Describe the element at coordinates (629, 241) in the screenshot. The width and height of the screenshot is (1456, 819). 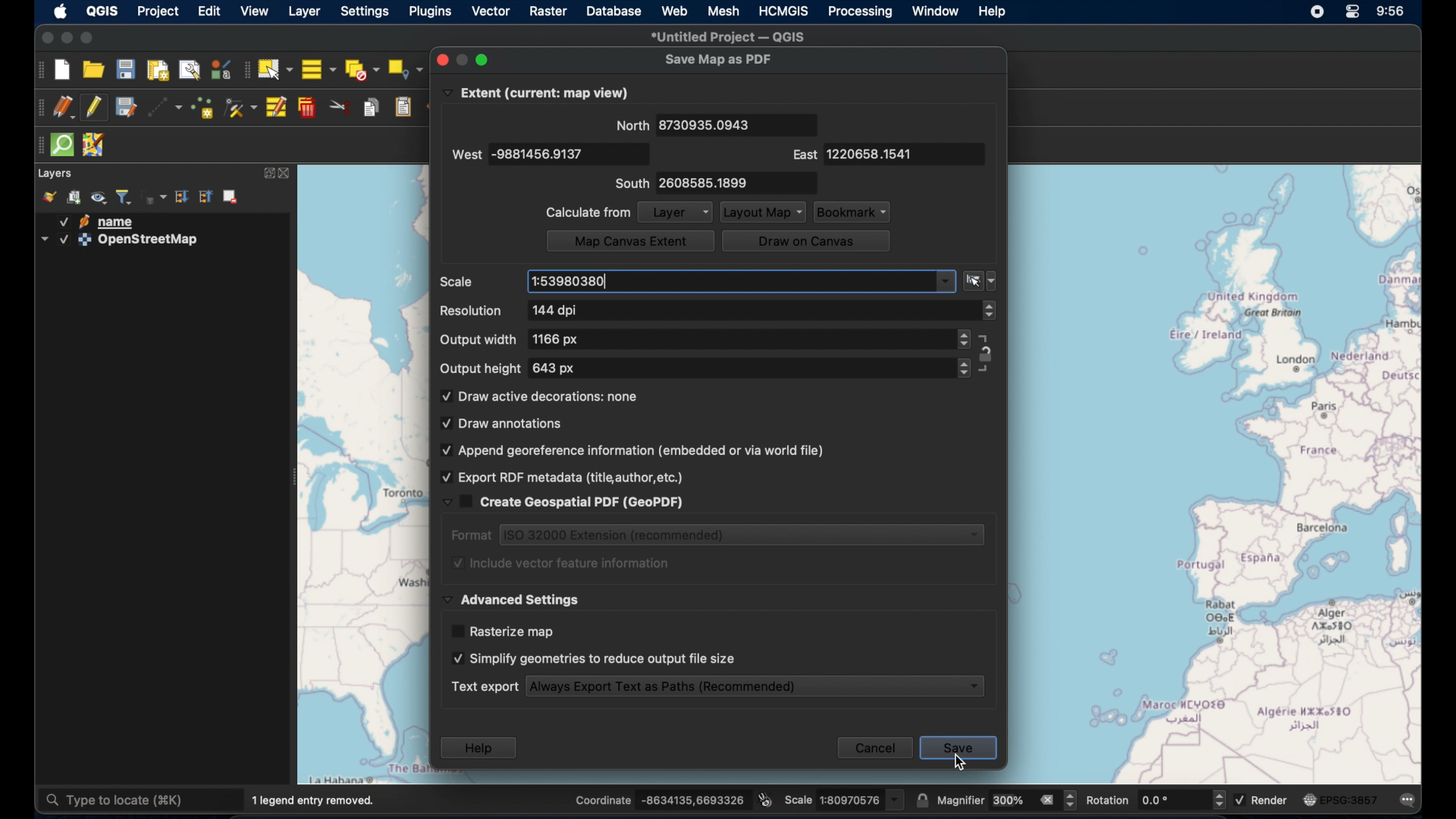
I see `map on canvas extent` at that location.